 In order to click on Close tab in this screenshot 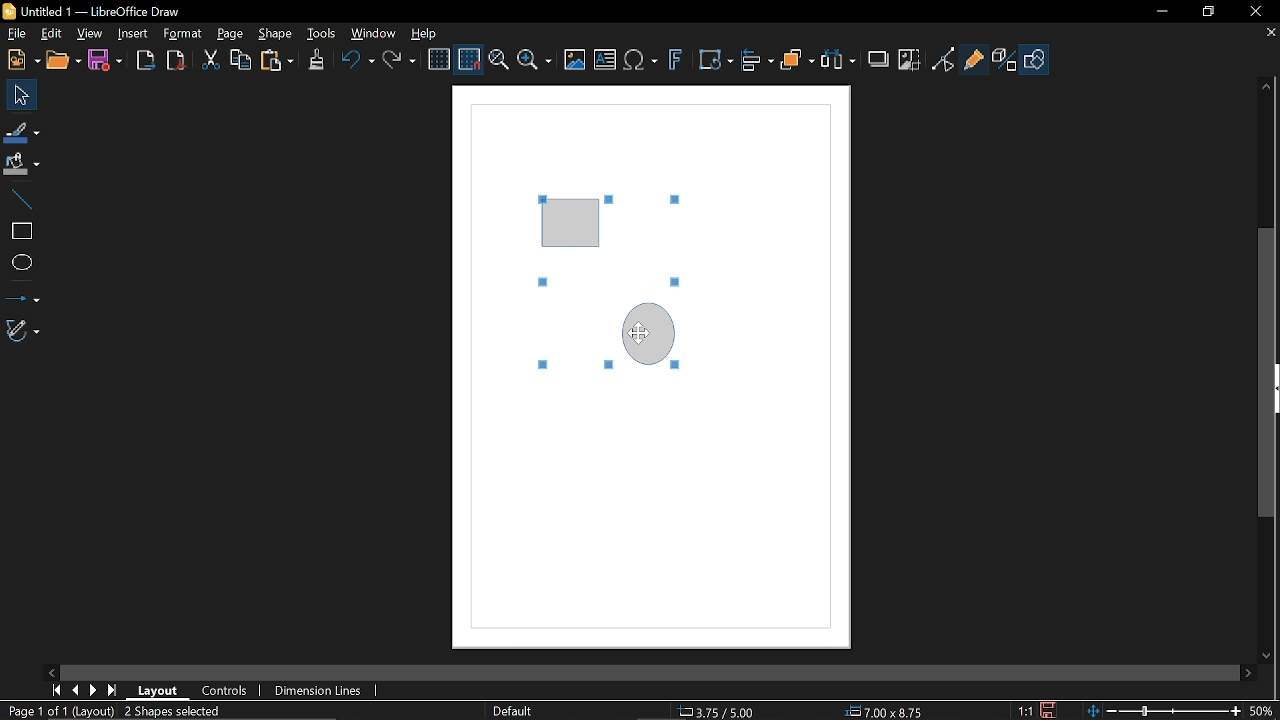, I will do `click(1270, 32)`.